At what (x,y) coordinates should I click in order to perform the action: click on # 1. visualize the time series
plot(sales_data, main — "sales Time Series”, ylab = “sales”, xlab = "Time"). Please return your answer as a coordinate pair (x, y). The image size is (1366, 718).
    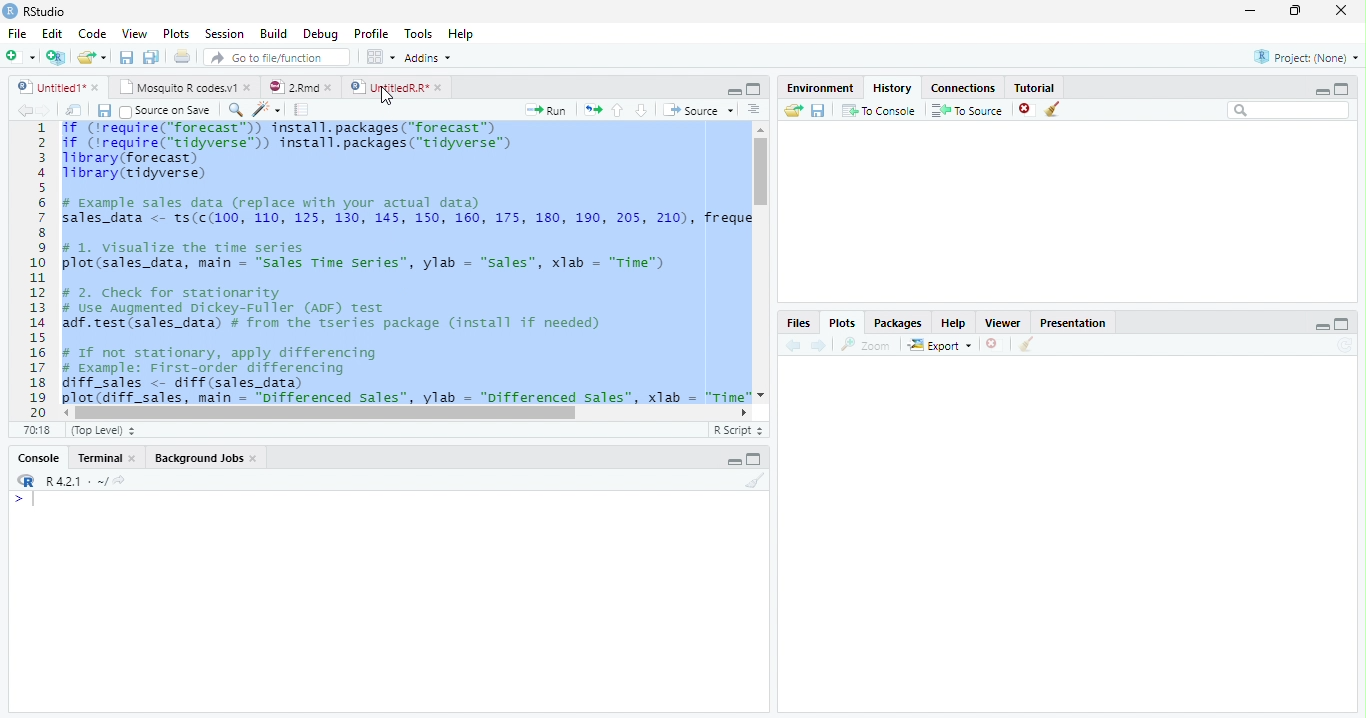
    Looking at the image, I should click on (362, 255).